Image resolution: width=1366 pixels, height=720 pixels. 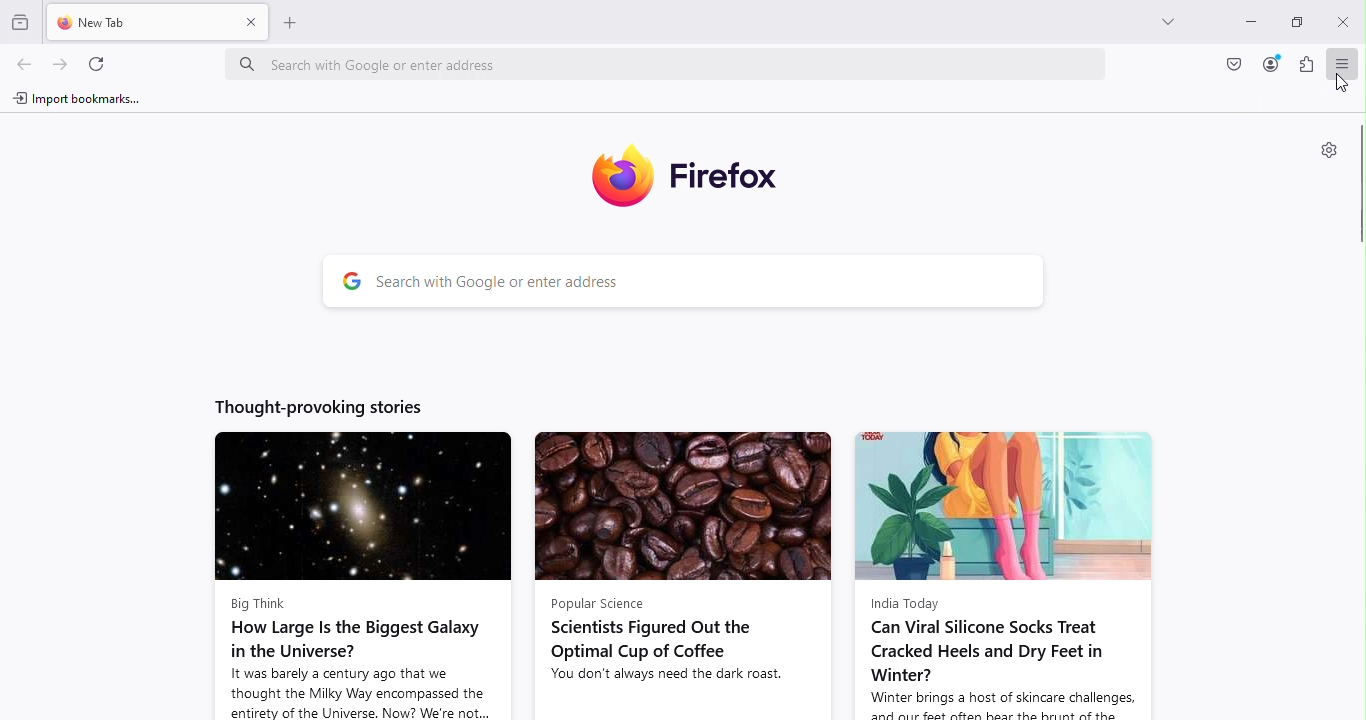 I want to click on Address bar, so click(x=668, y=65).